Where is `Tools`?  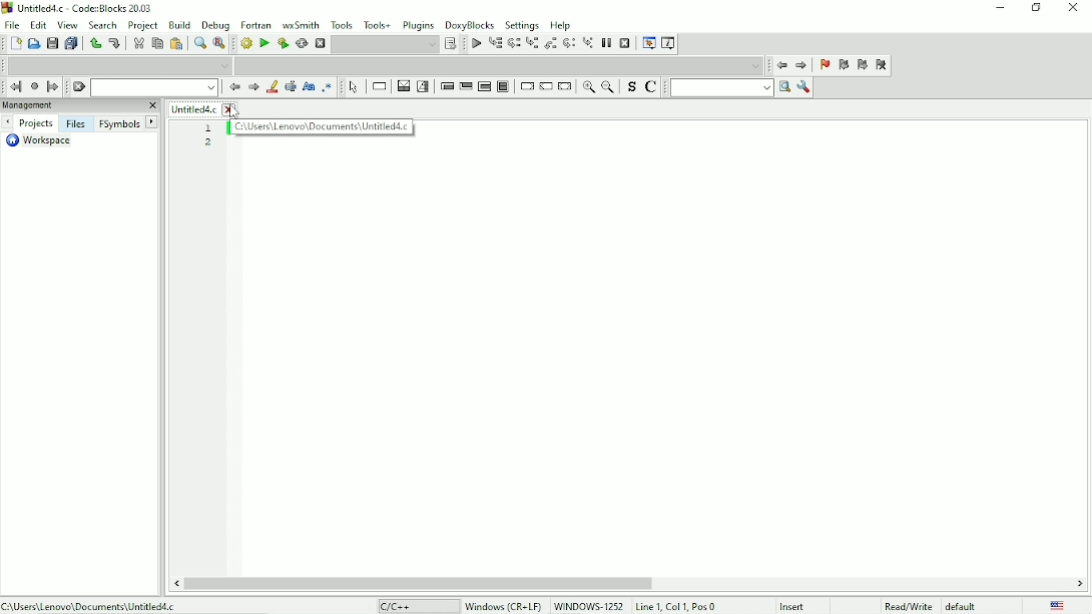
Tools is located at coordinates (342, 25).